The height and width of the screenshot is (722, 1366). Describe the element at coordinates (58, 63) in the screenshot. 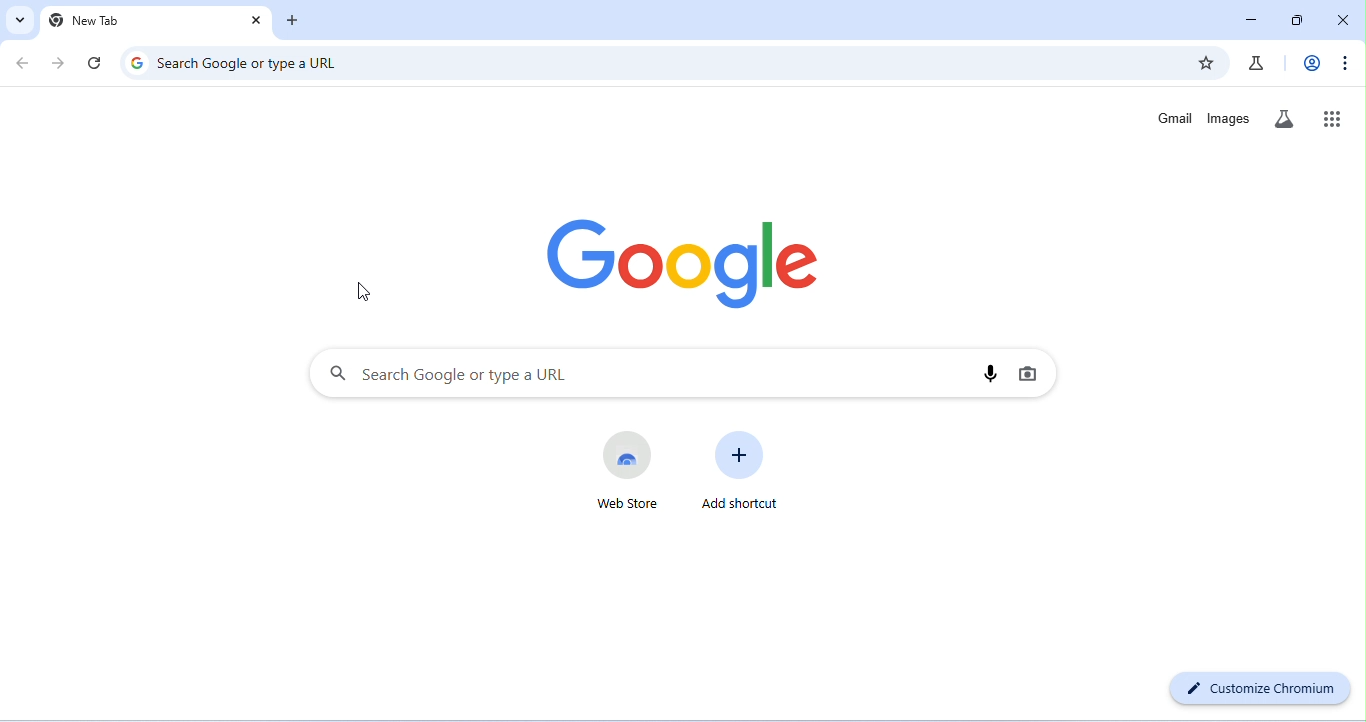

I see `go forward` at that location.